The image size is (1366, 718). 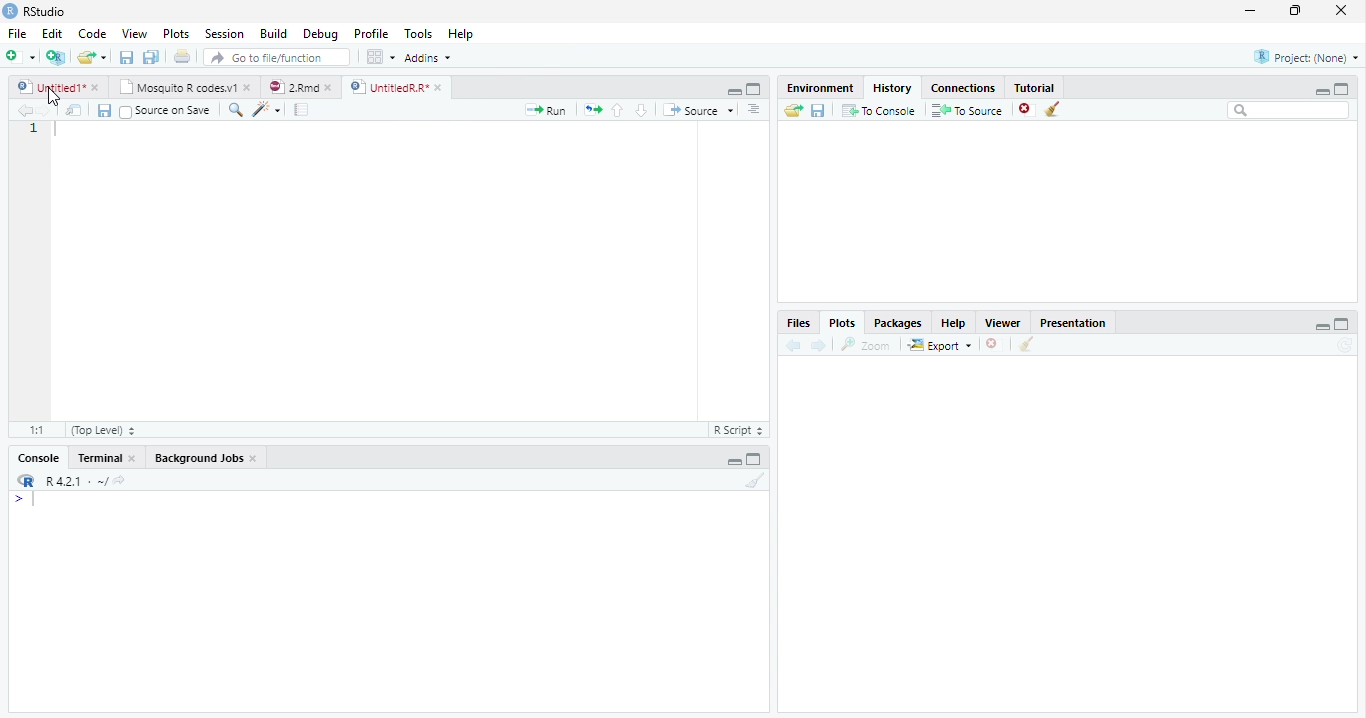 I want to click on Plots, so click(x=175, y=32).